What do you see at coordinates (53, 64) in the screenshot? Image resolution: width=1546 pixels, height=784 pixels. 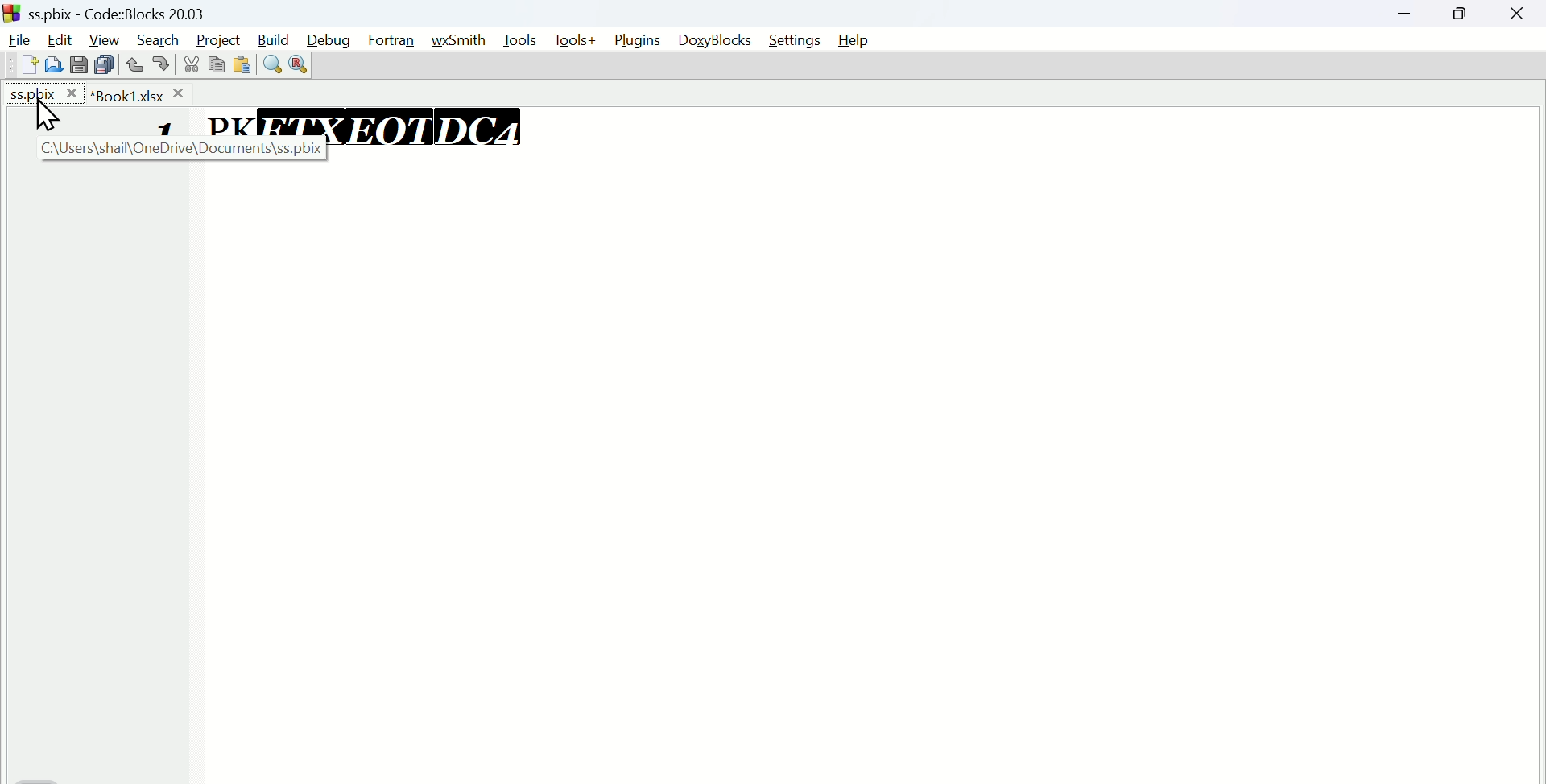 I see `Open` at bounding box center [53, 64].